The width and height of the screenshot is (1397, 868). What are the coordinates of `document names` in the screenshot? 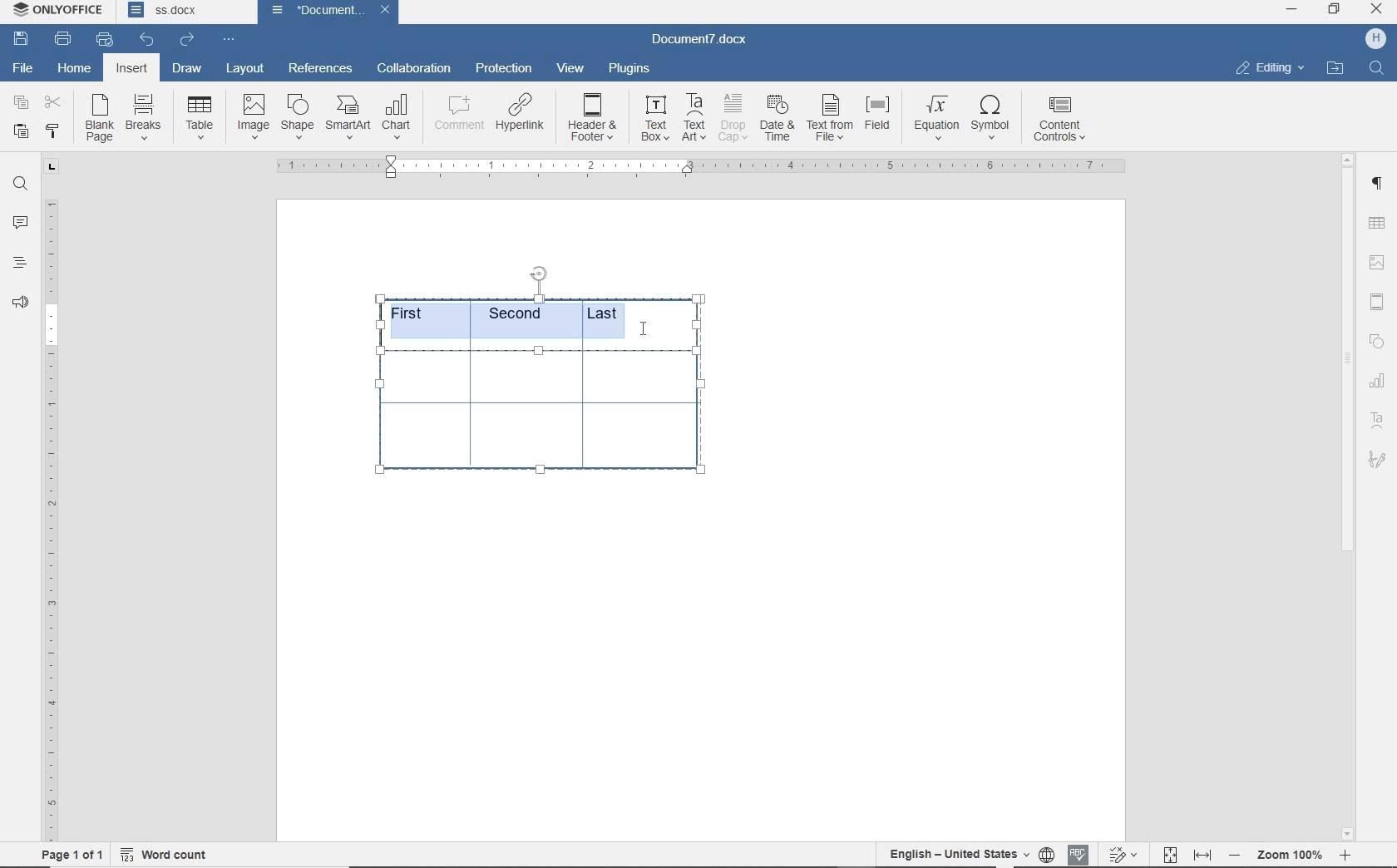 It's located at (185, 12).